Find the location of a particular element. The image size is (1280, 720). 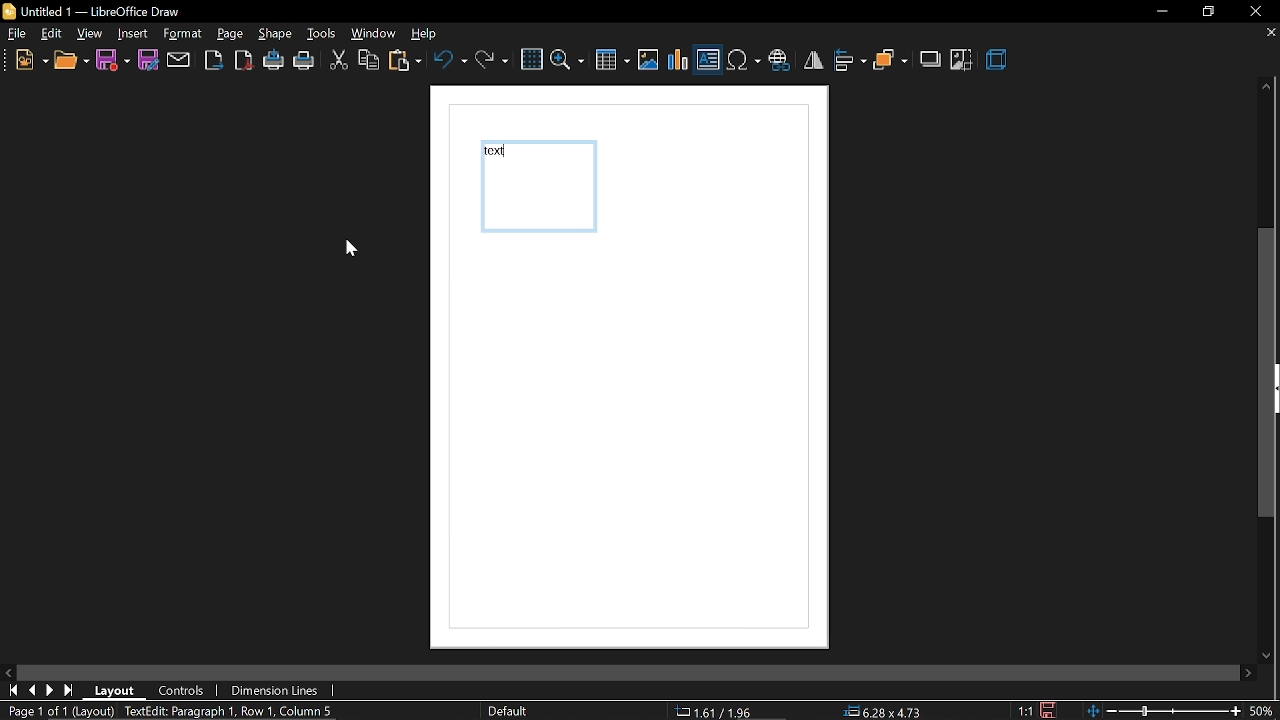

grid is located at coordinates (531, 60).